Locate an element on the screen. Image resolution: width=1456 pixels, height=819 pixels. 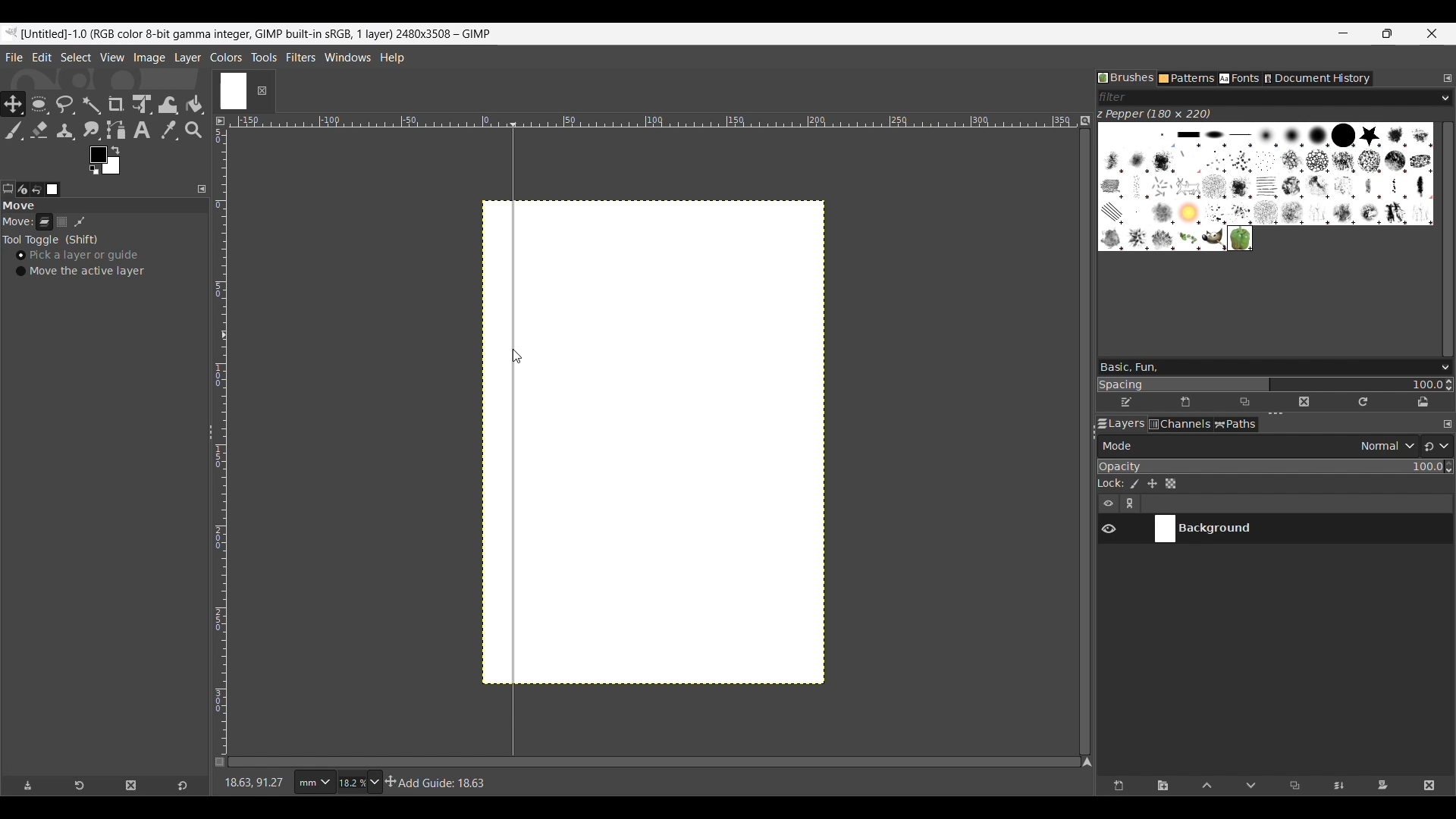
Tool toggle options is located at coordinates (50, 240).